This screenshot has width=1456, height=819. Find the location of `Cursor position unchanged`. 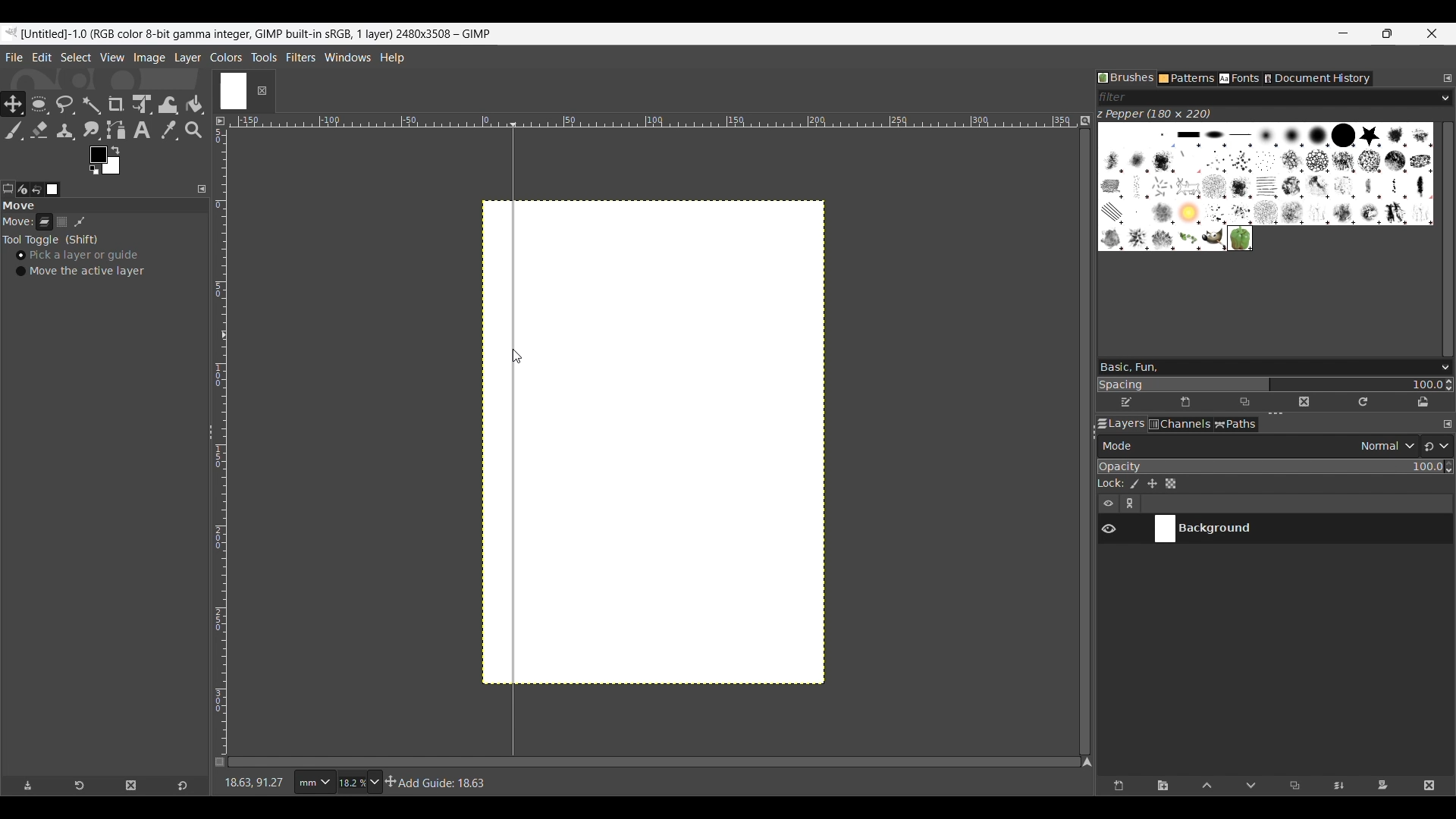

Cursor position unchanged is located at coordinates (517, 356).